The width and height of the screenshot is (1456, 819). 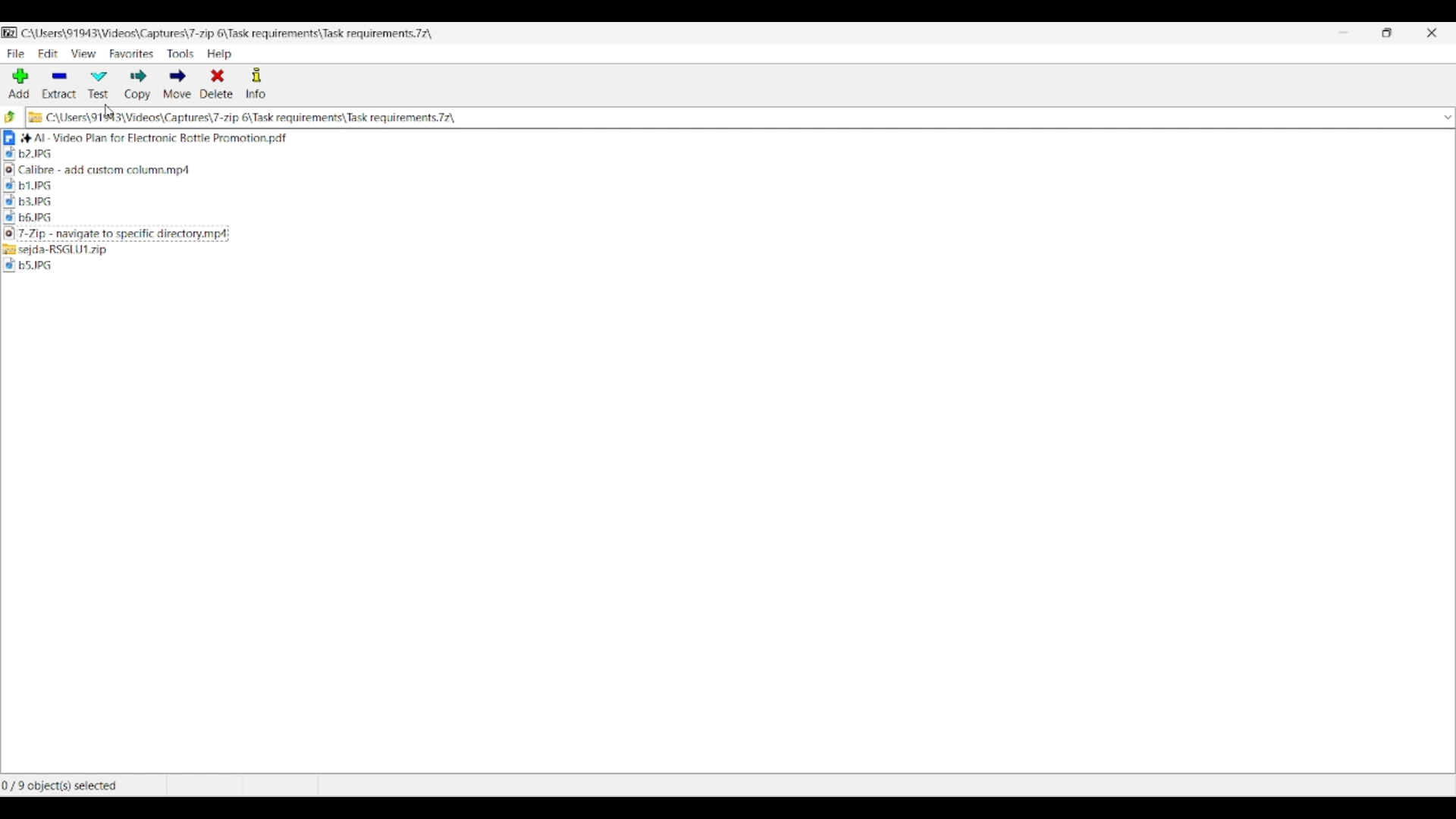 What do you see at coordinates (138, 85) in the screenshot?
I see `Copy` at bounding box center [138, 85].